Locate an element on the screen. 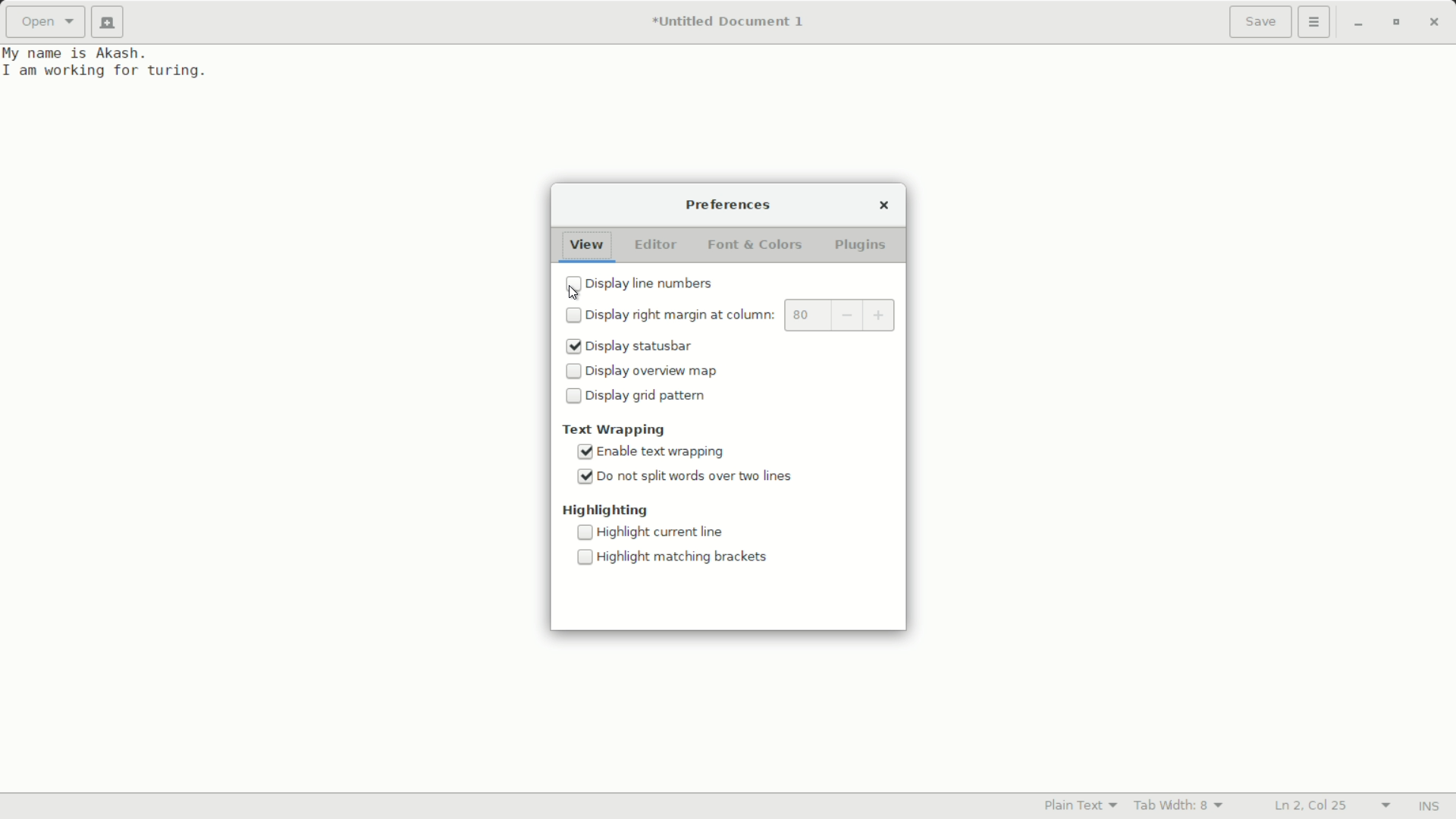 Image resolution: width=1456 pixels, height=819 pixels. more options is located at coordinates (1314, 20).